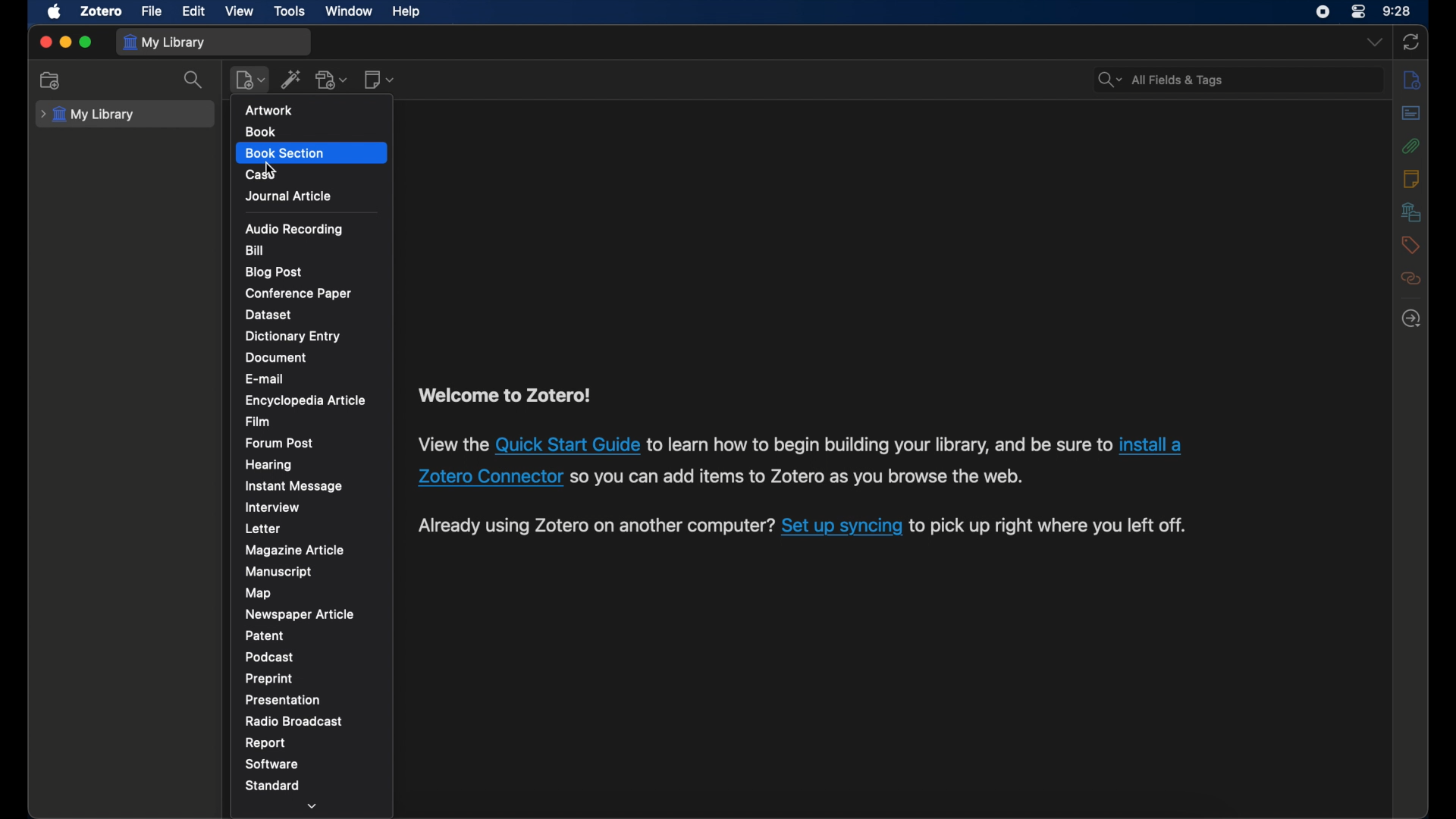 Image resolution: width=1456 pixels, height=819 pixels. What do you see at coordinates (305, 400) in the screenshot?
I see `encyclopedia article` at bounding box center [305, 400].